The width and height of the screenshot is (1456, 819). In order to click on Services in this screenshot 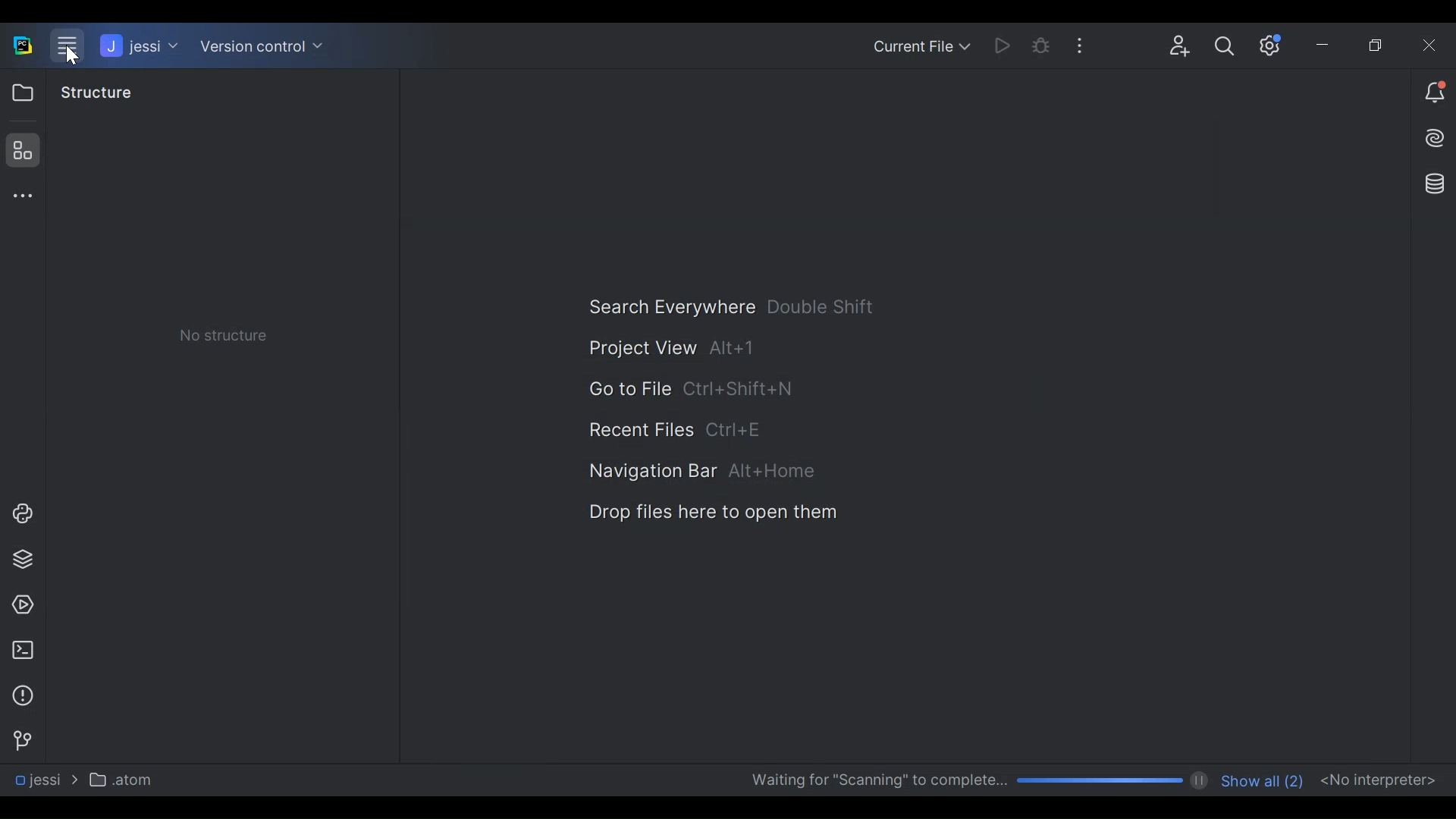, I will do `click(22, 606)`.